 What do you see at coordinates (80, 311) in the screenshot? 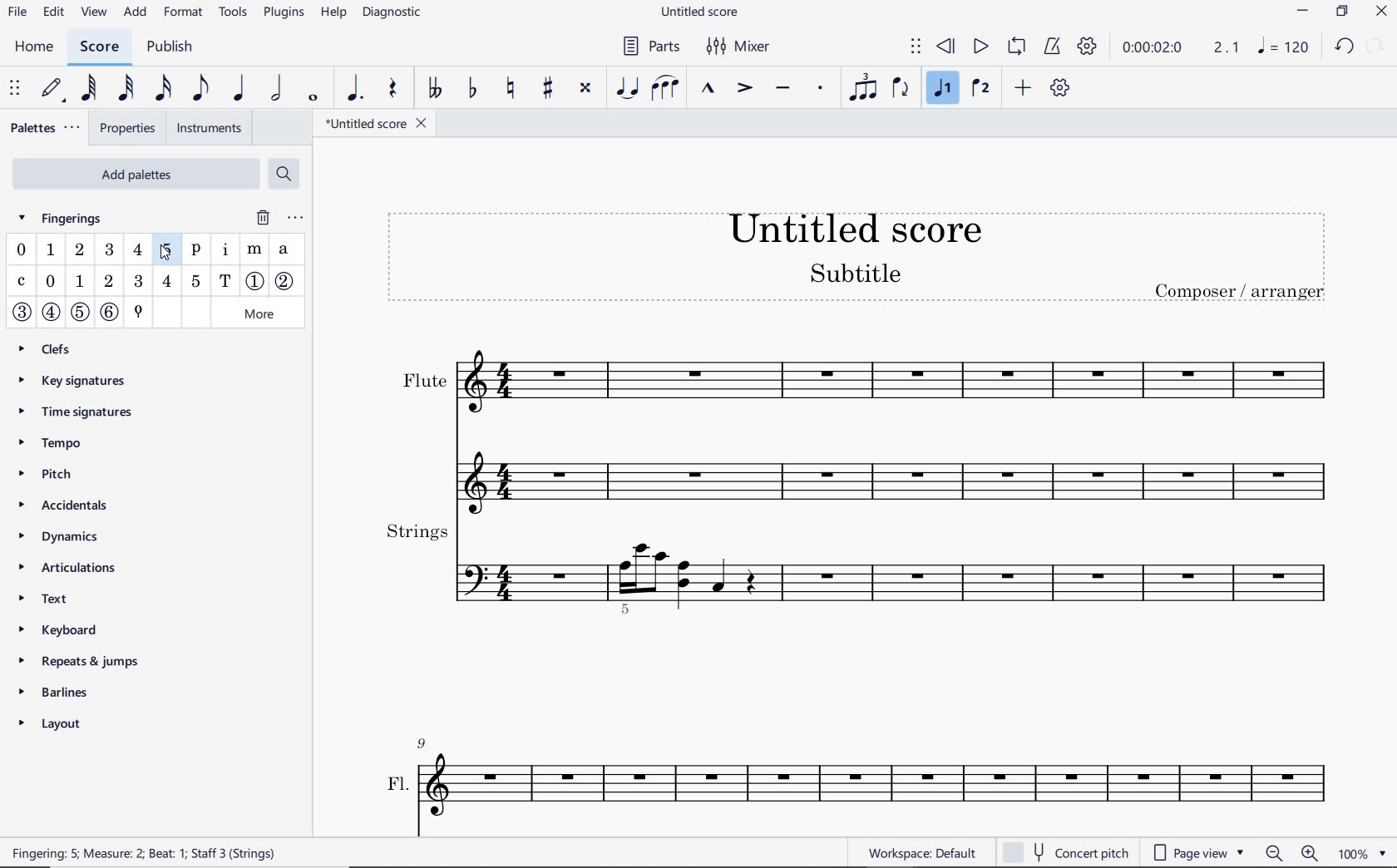
I see `STRING NUMBER 5` at bounding box center [80, 311].